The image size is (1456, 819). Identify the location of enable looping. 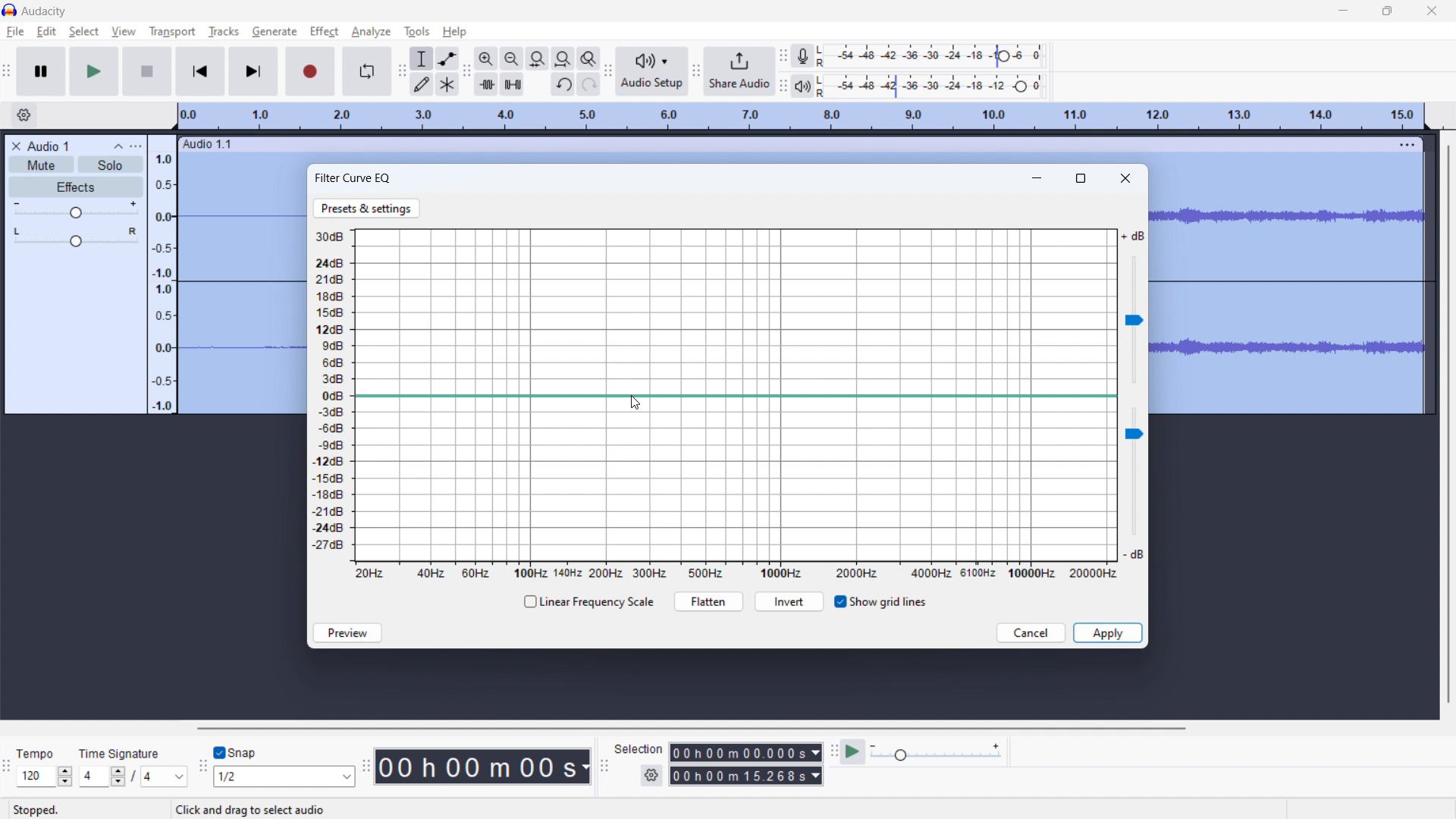
(367, 71).